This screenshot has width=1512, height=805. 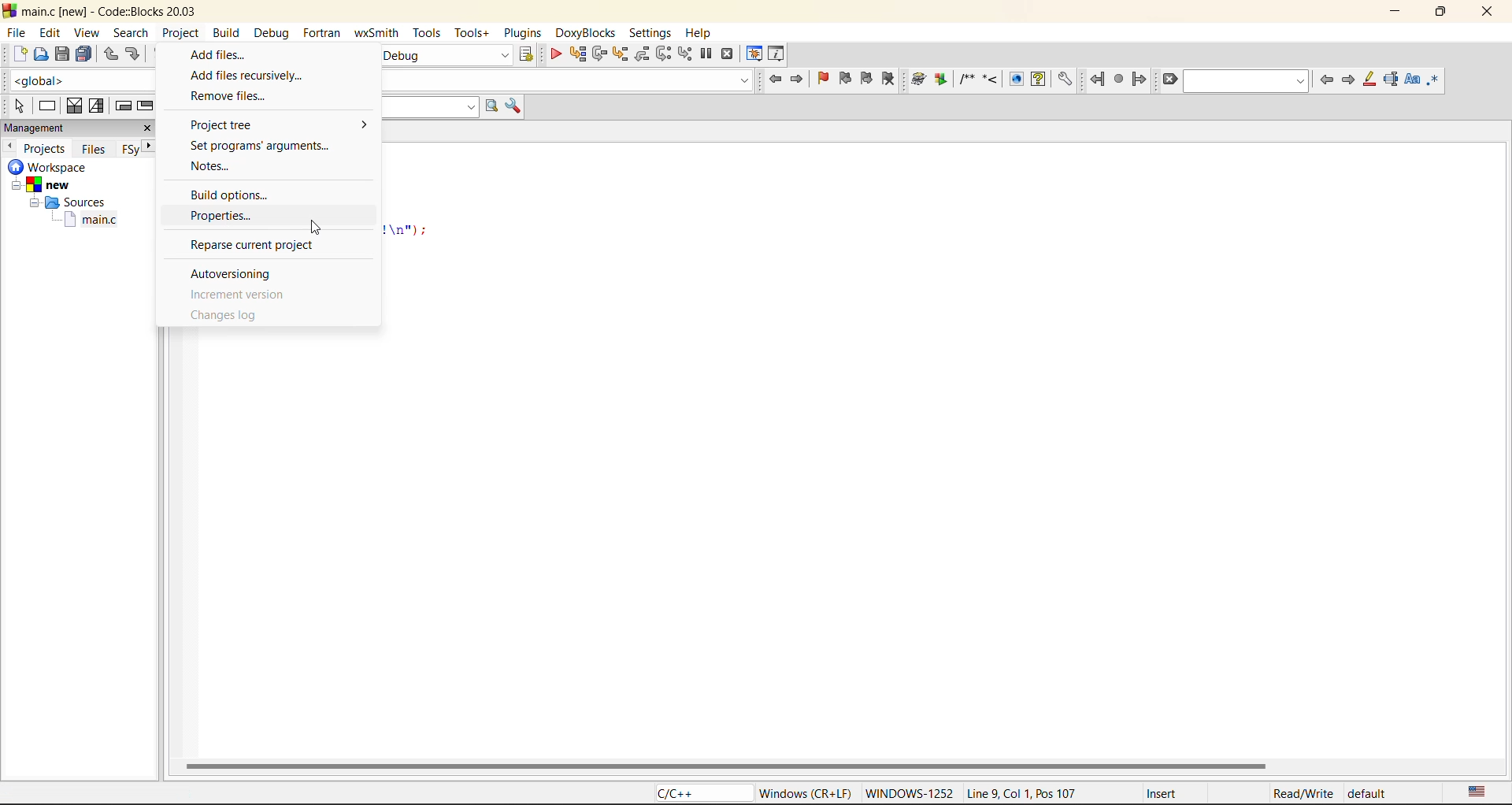 I want to click on projects, so click(x=46, y=148).